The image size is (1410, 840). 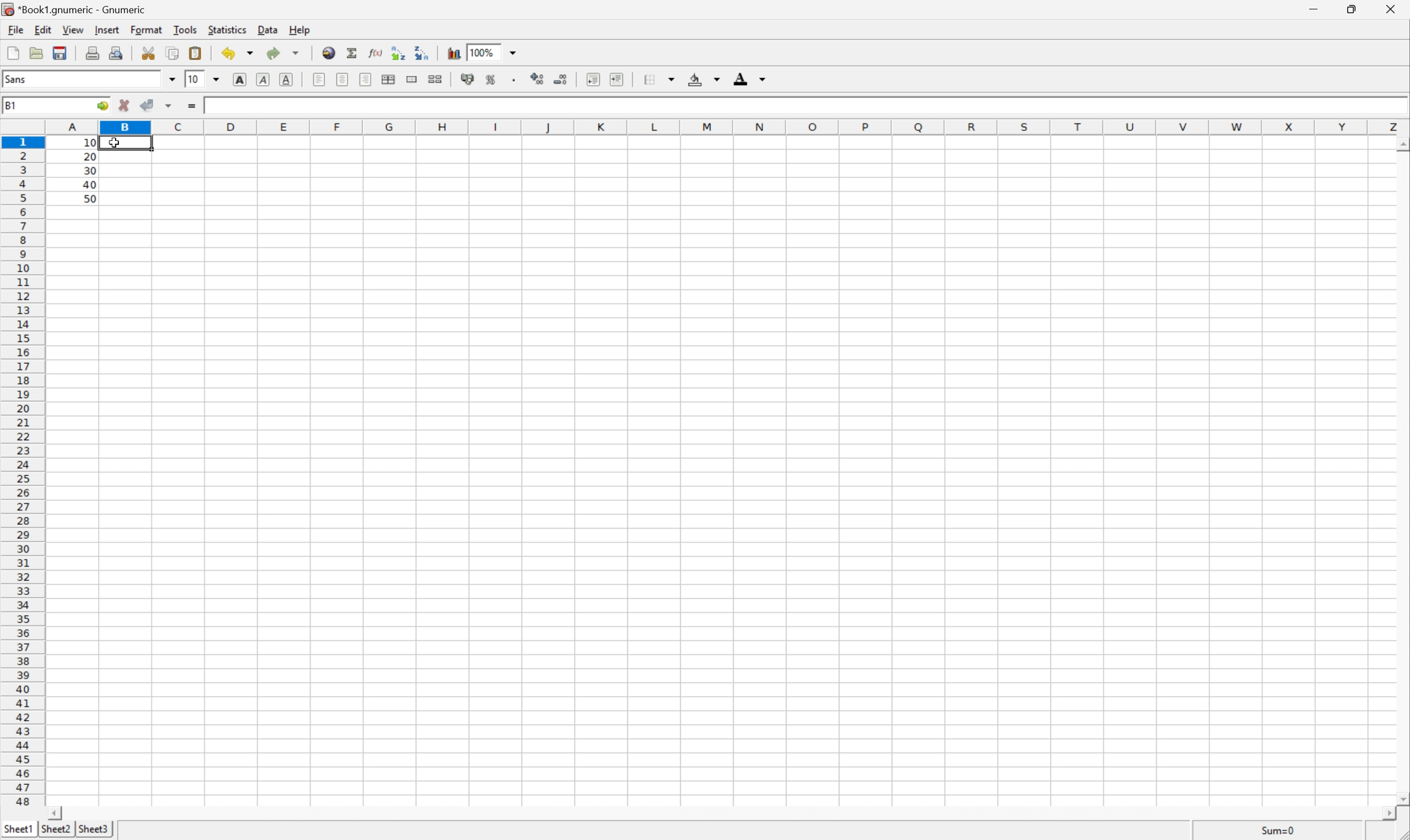 What do you see at coordinates (18, 831) in the screenshot?
I see `Sheet1` at bounding box center [18, 831].